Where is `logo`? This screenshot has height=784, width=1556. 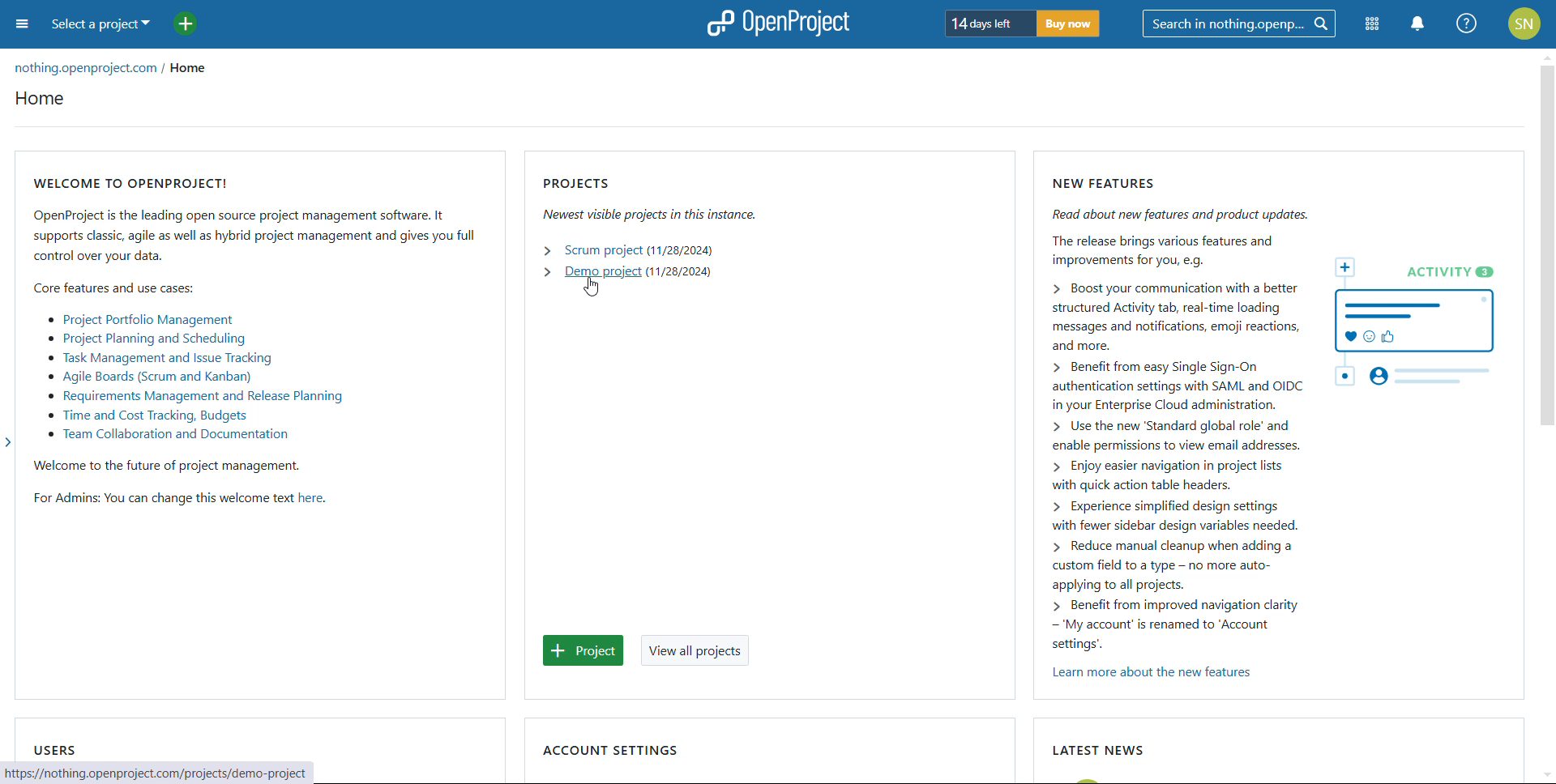
logo is located at coordinates (777, 23).